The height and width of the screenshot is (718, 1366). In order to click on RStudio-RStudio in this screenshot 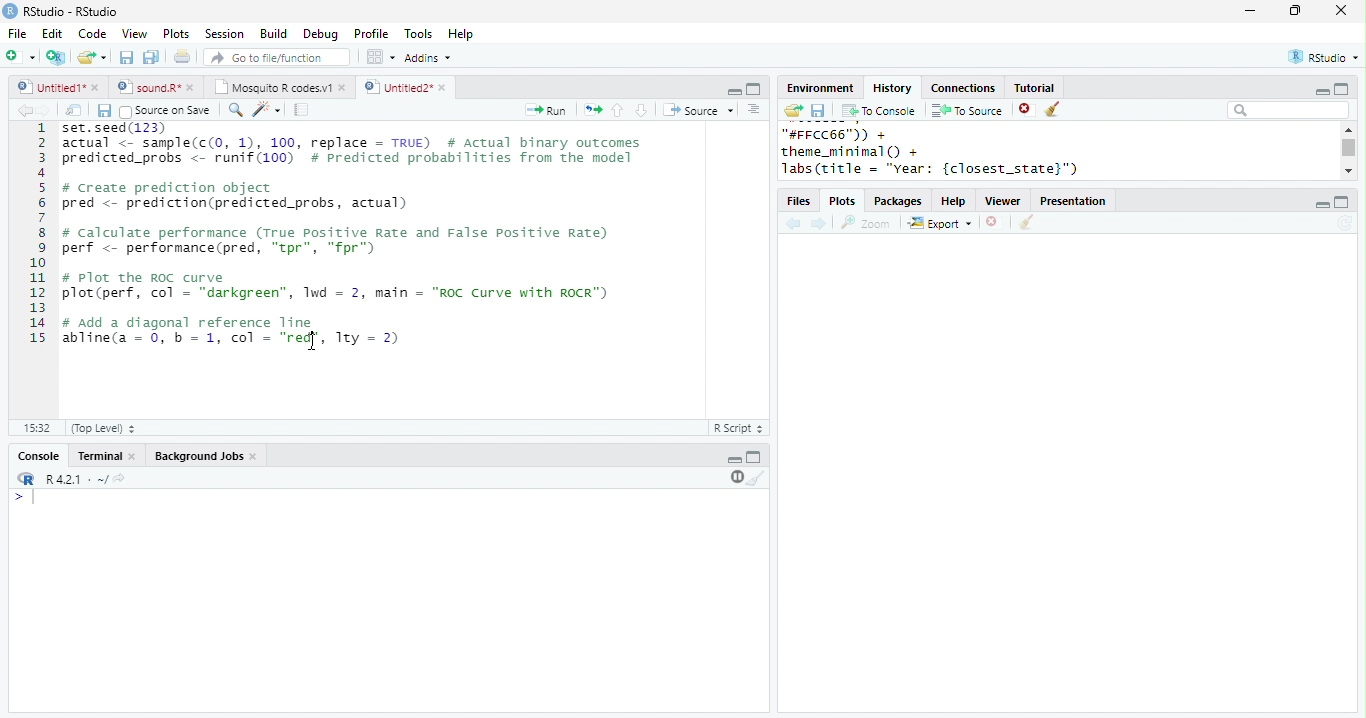, I will do `click(75, 12)`.